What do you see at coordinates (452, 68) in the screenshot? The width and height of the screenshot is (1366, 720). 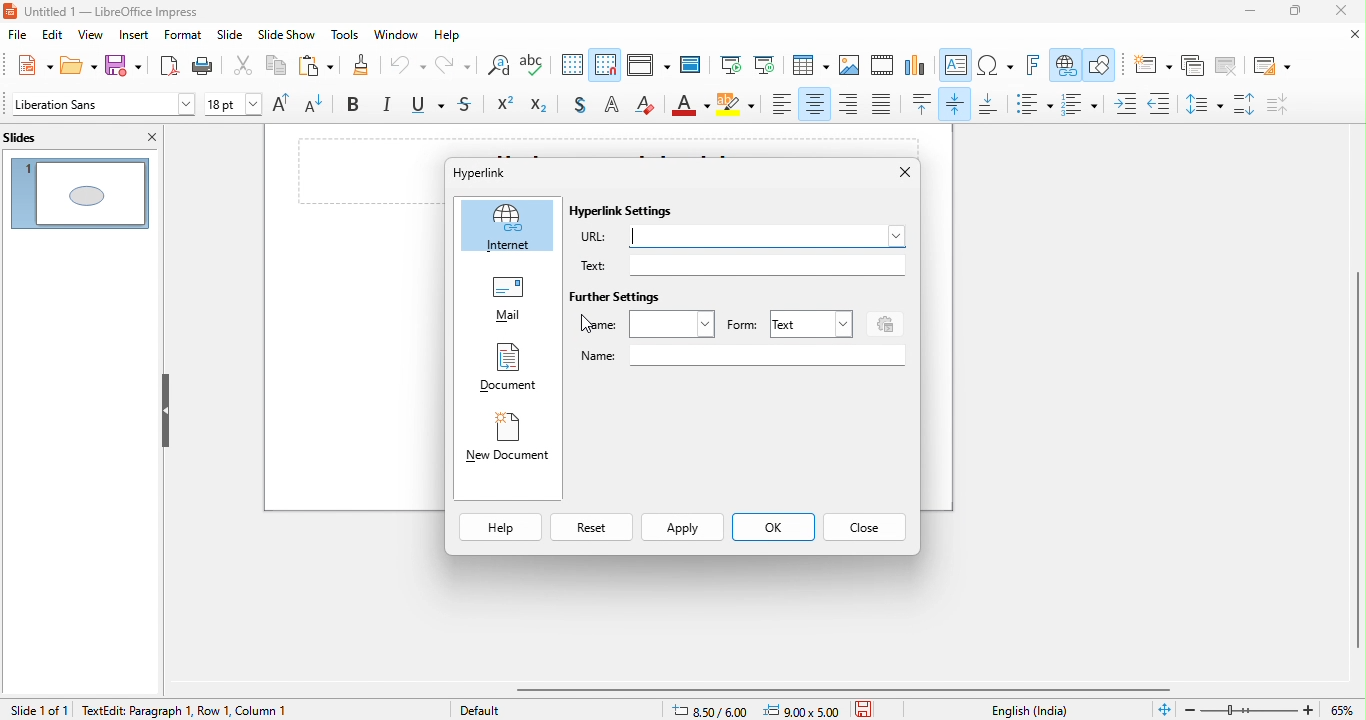 I see `redo` at bounding box center [452, 68].